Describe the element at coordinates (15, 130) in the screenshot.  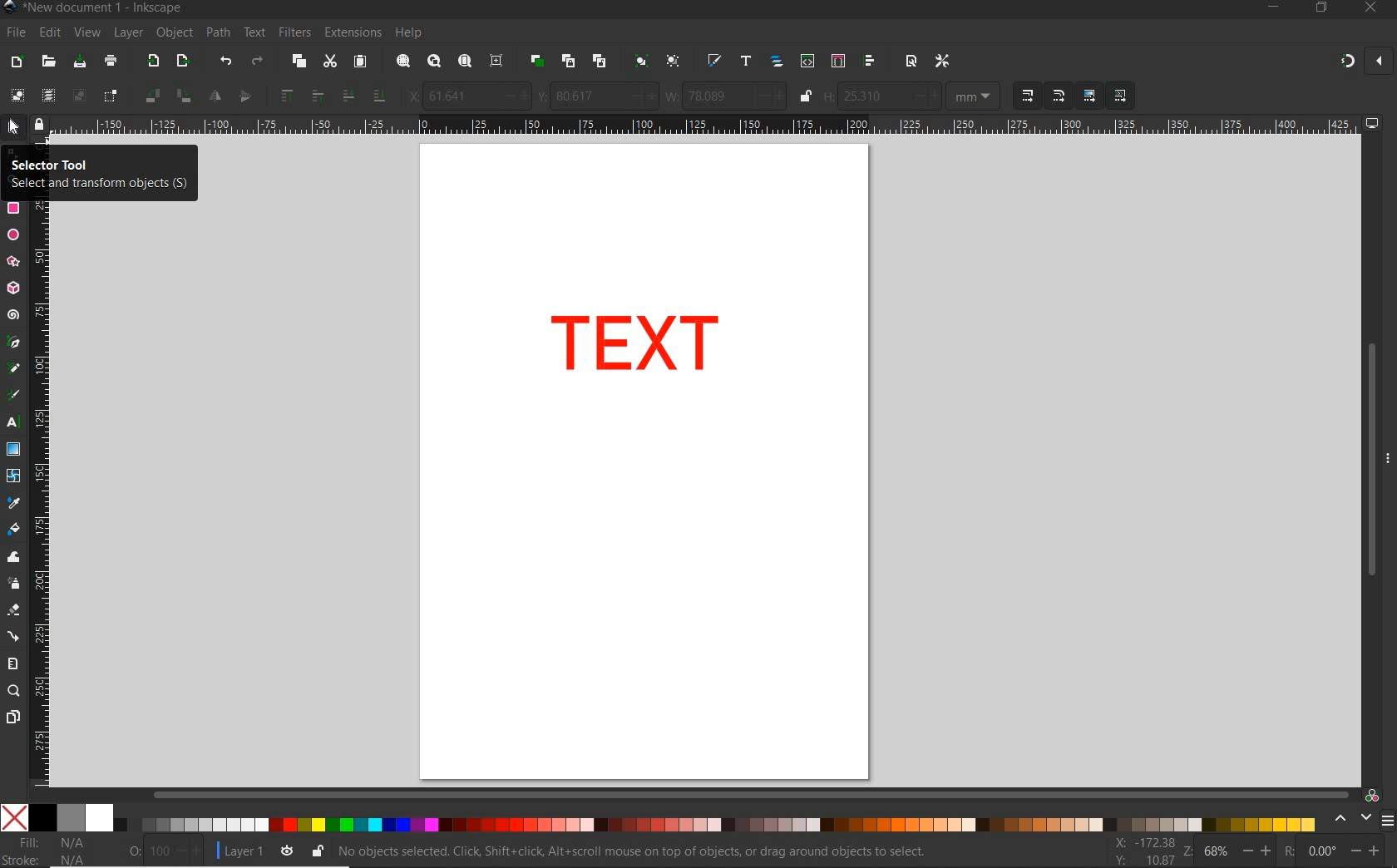
I see `selector tool` at that location.